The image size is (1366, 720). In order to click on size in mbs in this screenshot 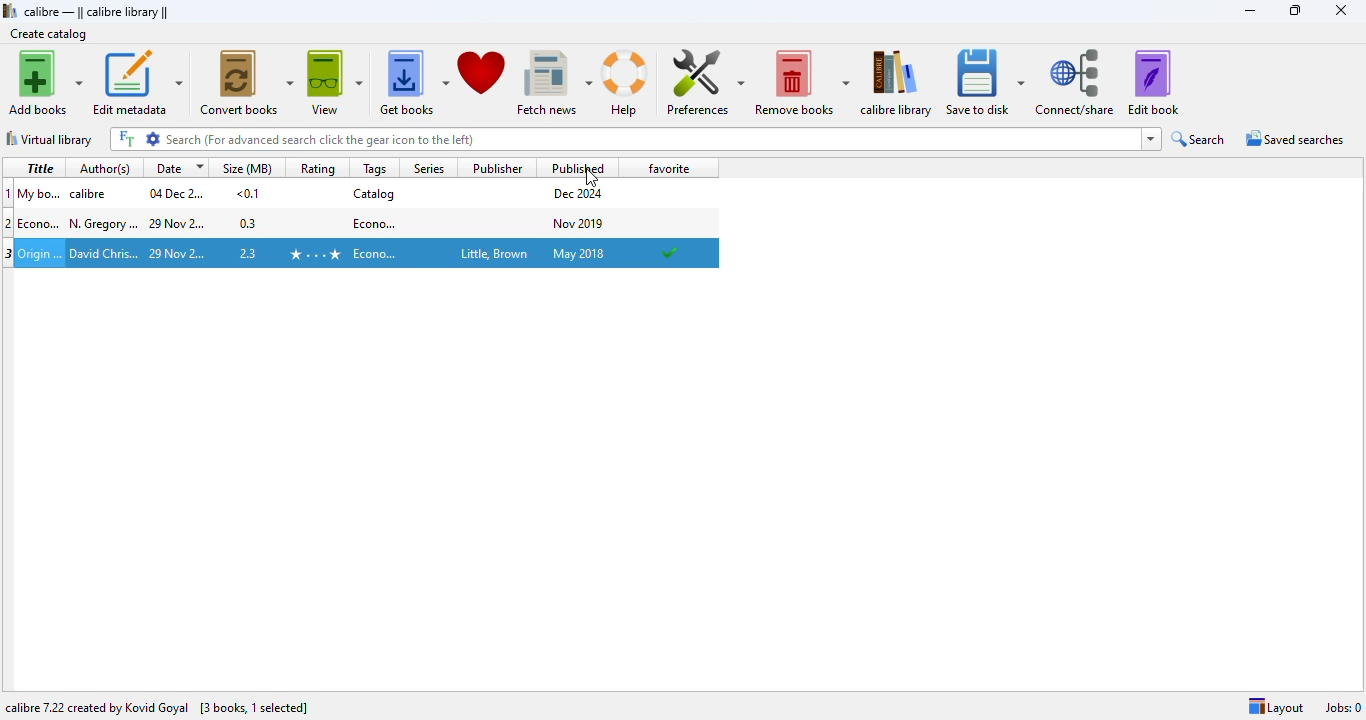, I will do `click(249, 222)`.